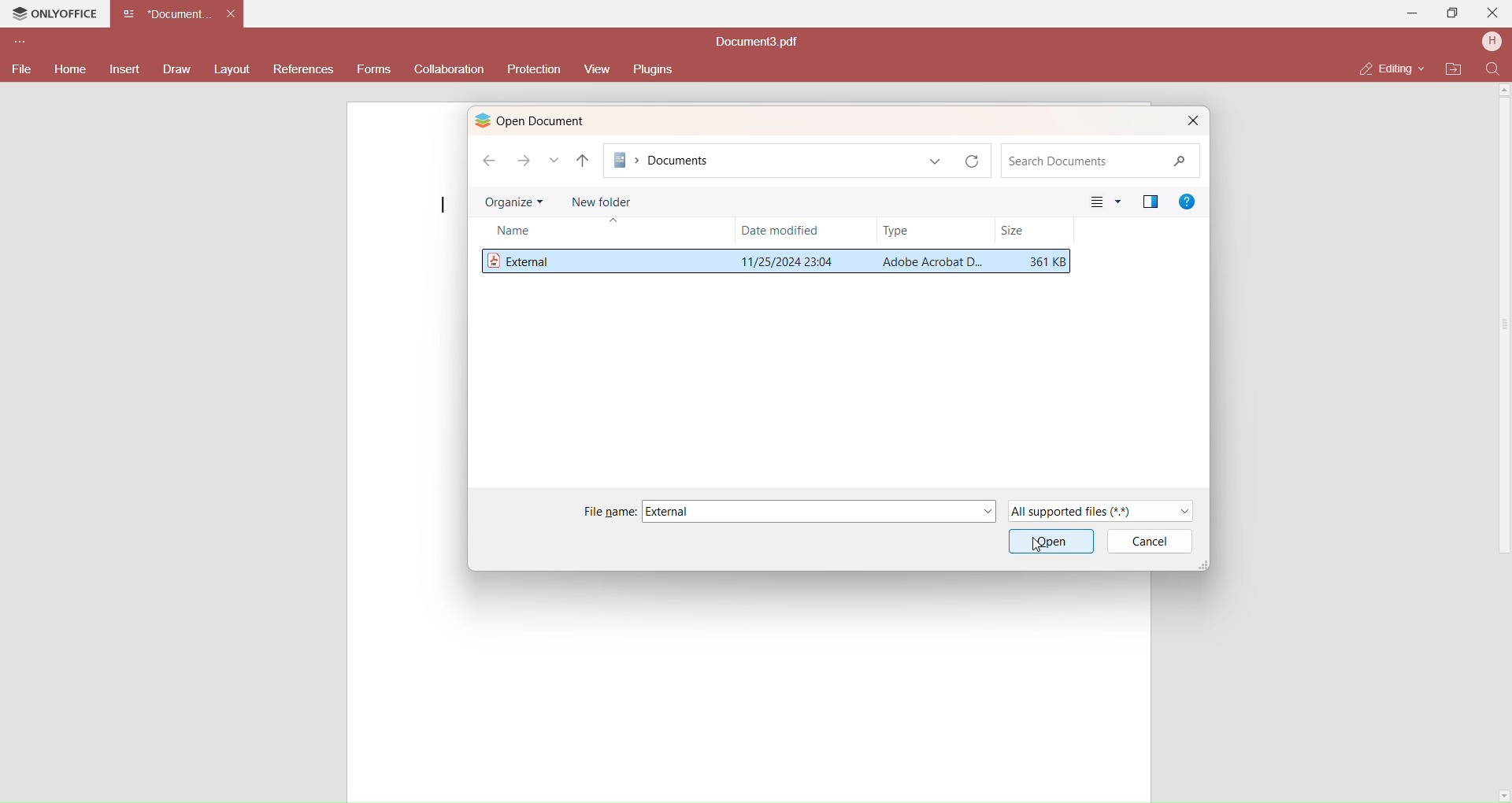  I want to click on Open file location, so click(1455, 69).